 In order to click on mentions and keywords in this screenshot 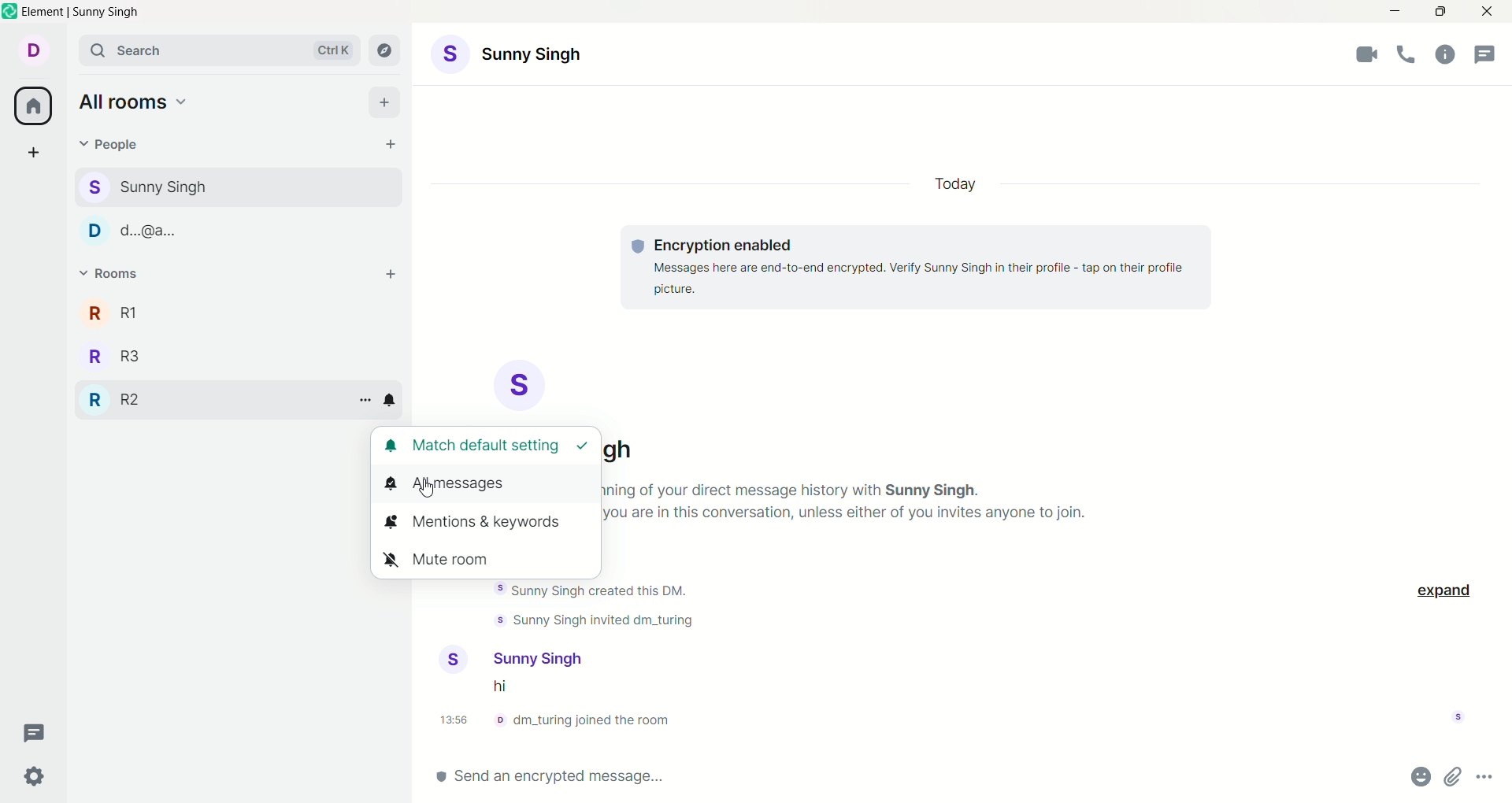, I will do `click(479, 524)`.